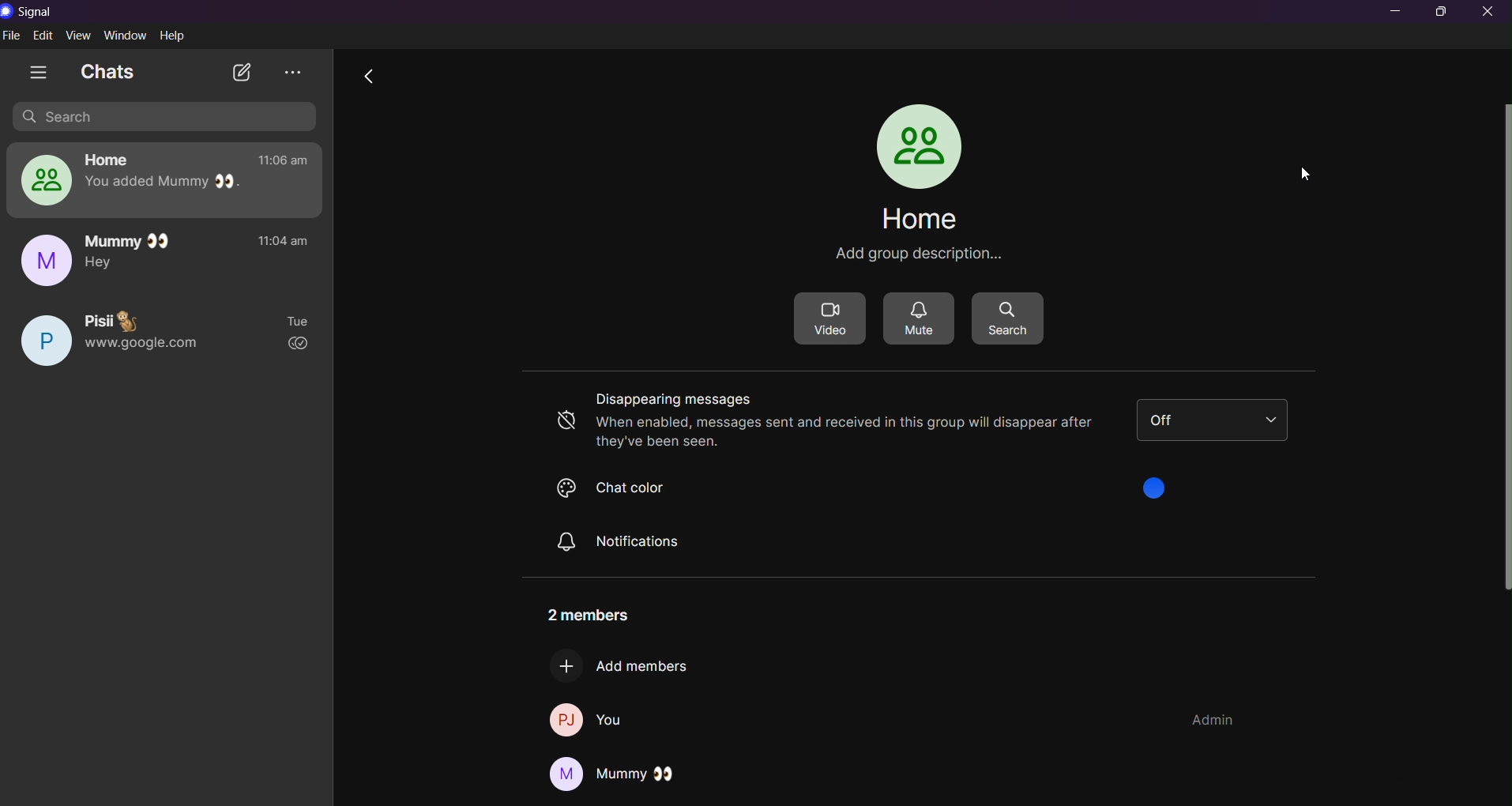 The height and width of the screenshot is (806, 1512). Describe the element at coordinates (920, 145) in the screenshot. I see `profile` at that location.